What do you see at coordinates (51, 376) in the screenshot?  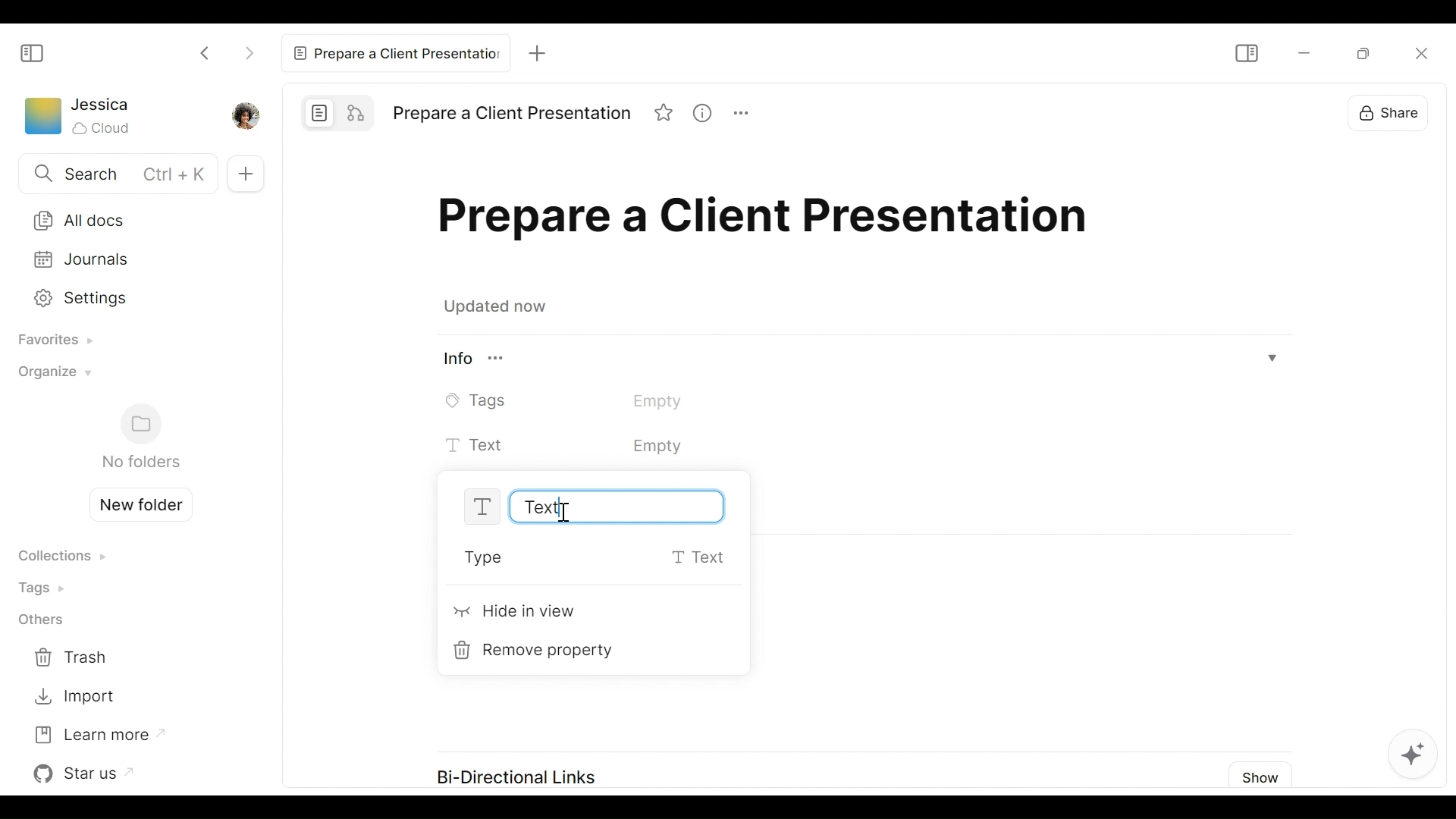 I see `Organize` at bounding box center [51, 376].